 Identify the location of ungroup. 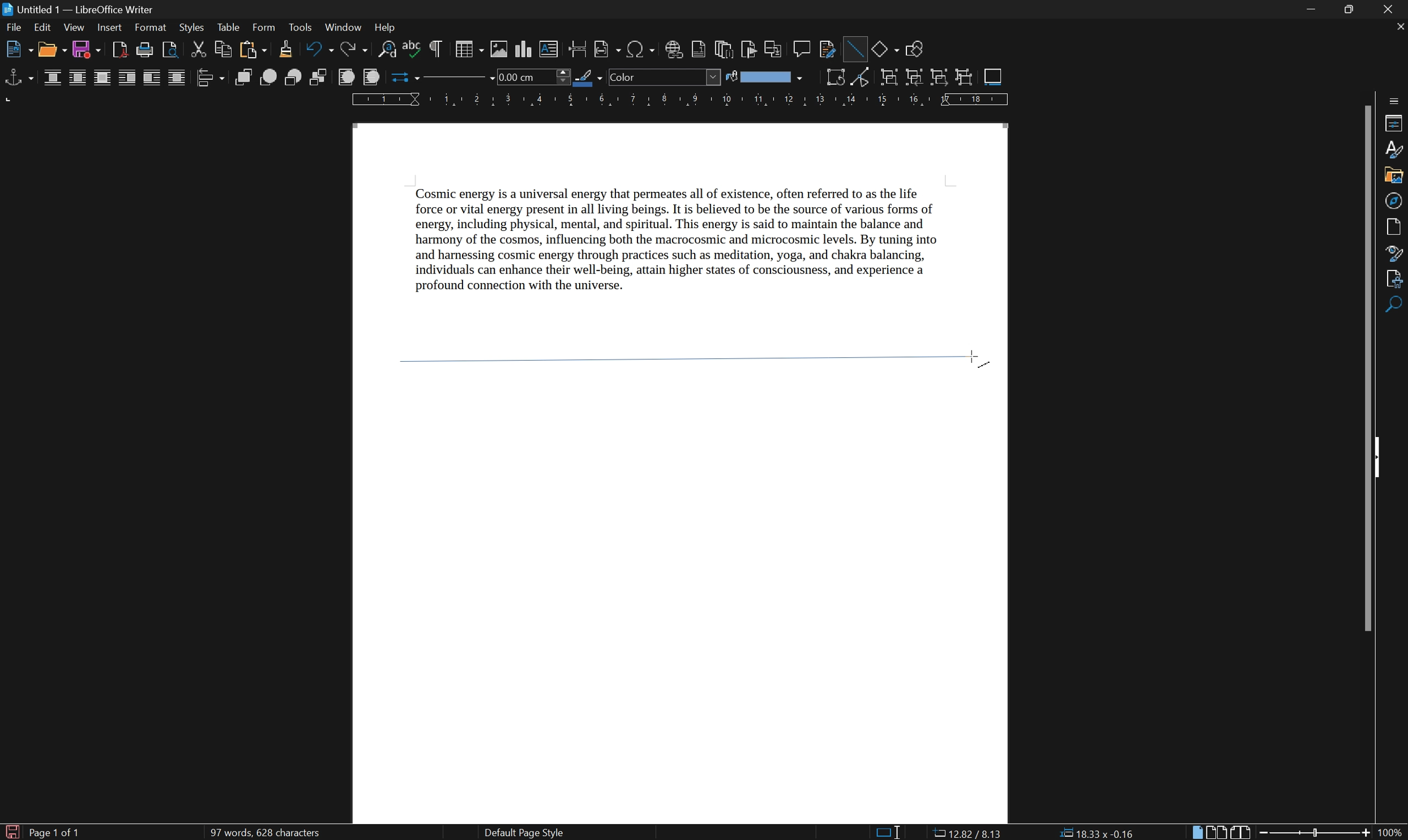
(965, 78).